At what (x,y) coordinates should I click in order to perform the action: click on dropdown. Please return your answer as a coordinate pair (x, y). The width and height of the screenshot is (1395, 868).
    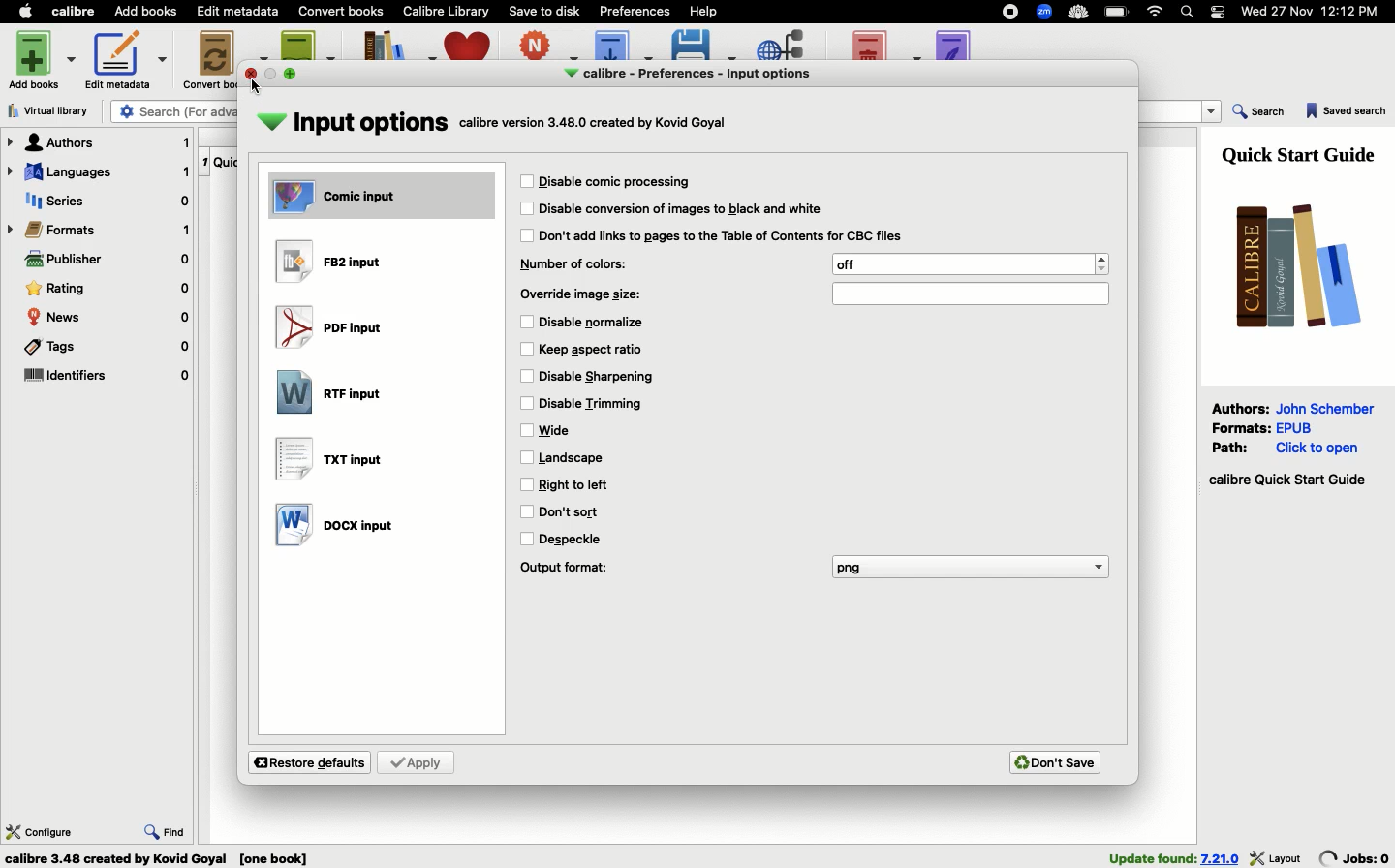
    Looking at the image, I should click on (1213, 112).